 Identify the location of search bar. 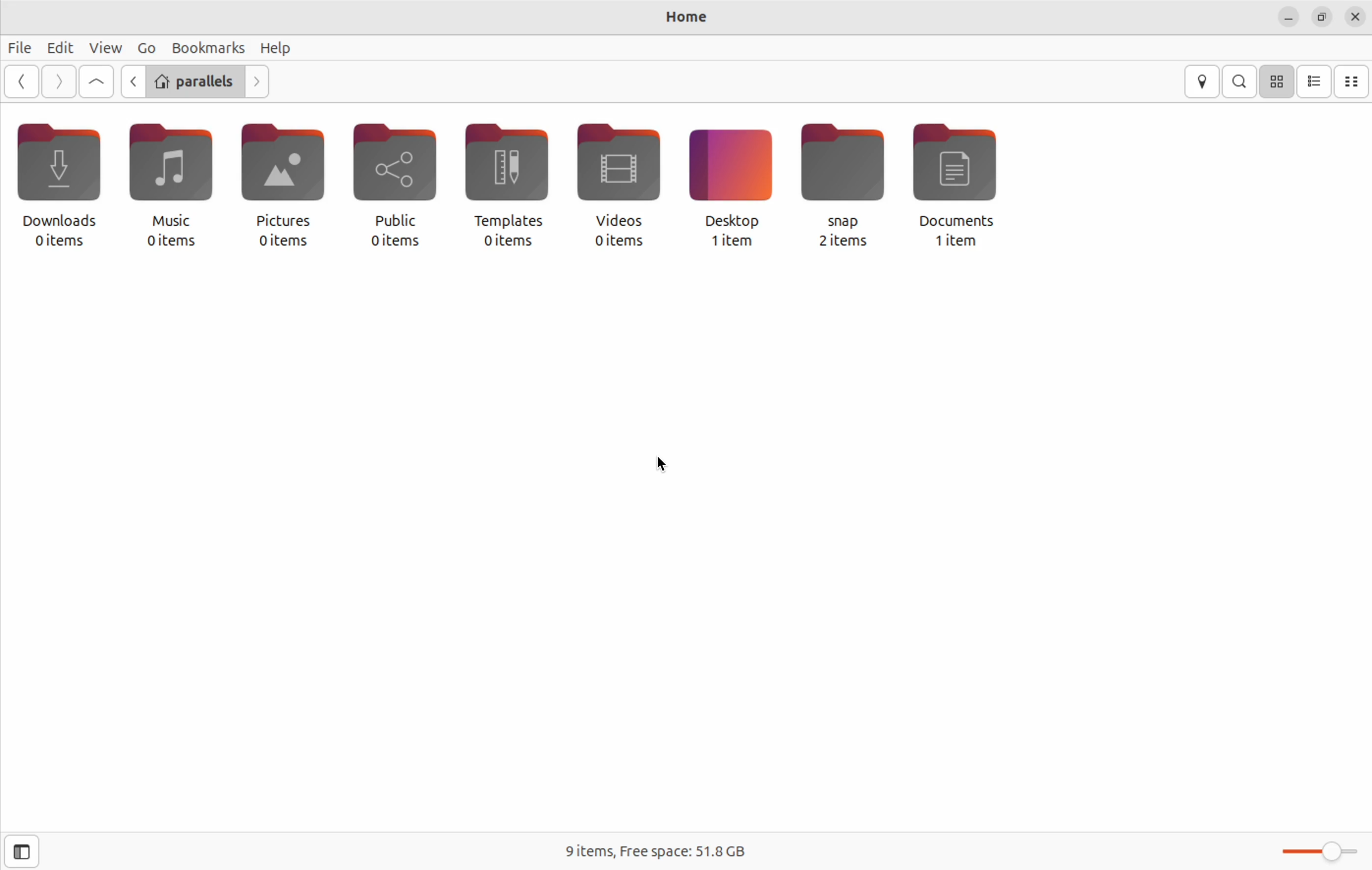
(1241, 80).